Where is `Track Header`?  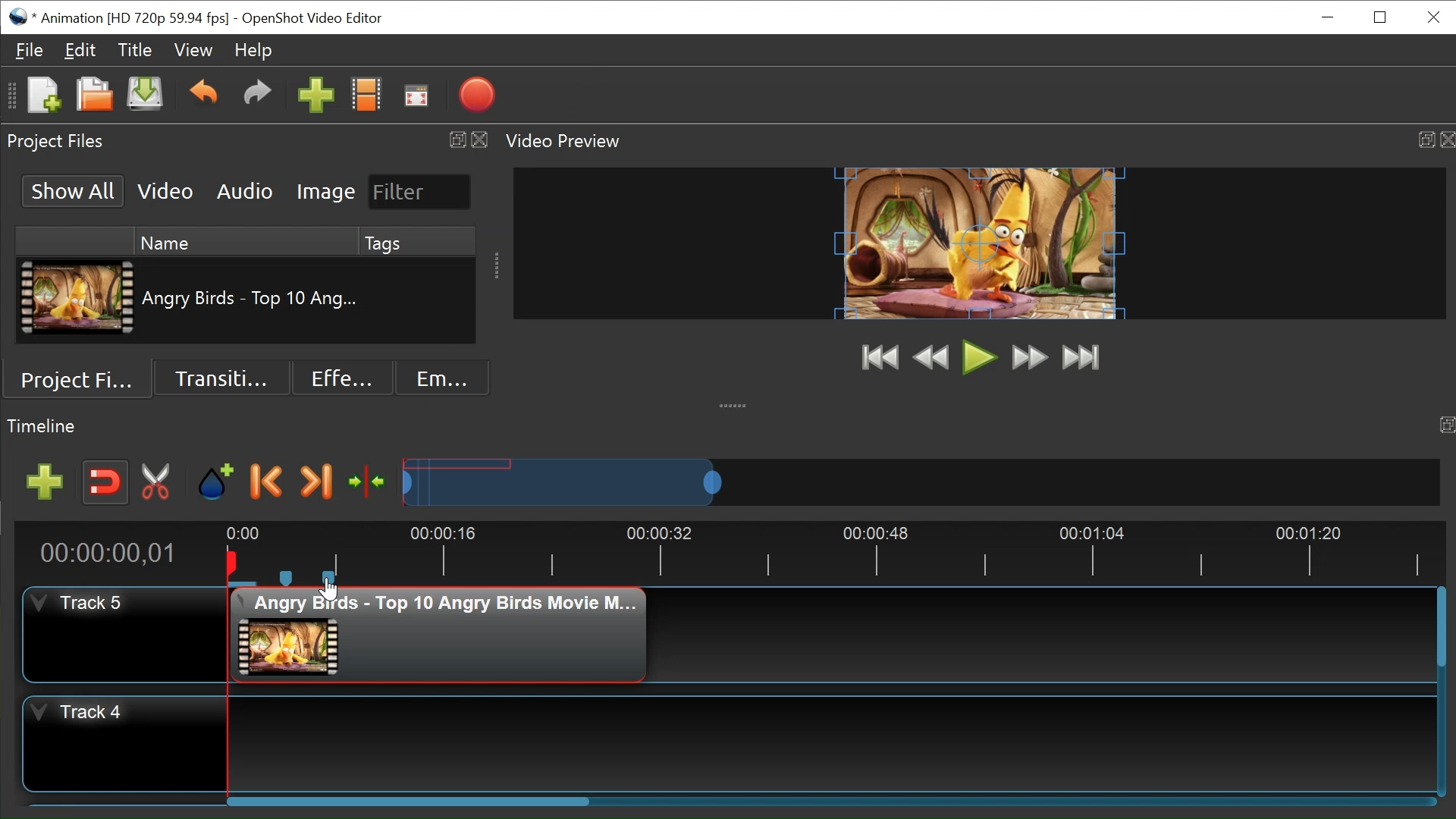
Track Header is located at coordinates (126, 633).